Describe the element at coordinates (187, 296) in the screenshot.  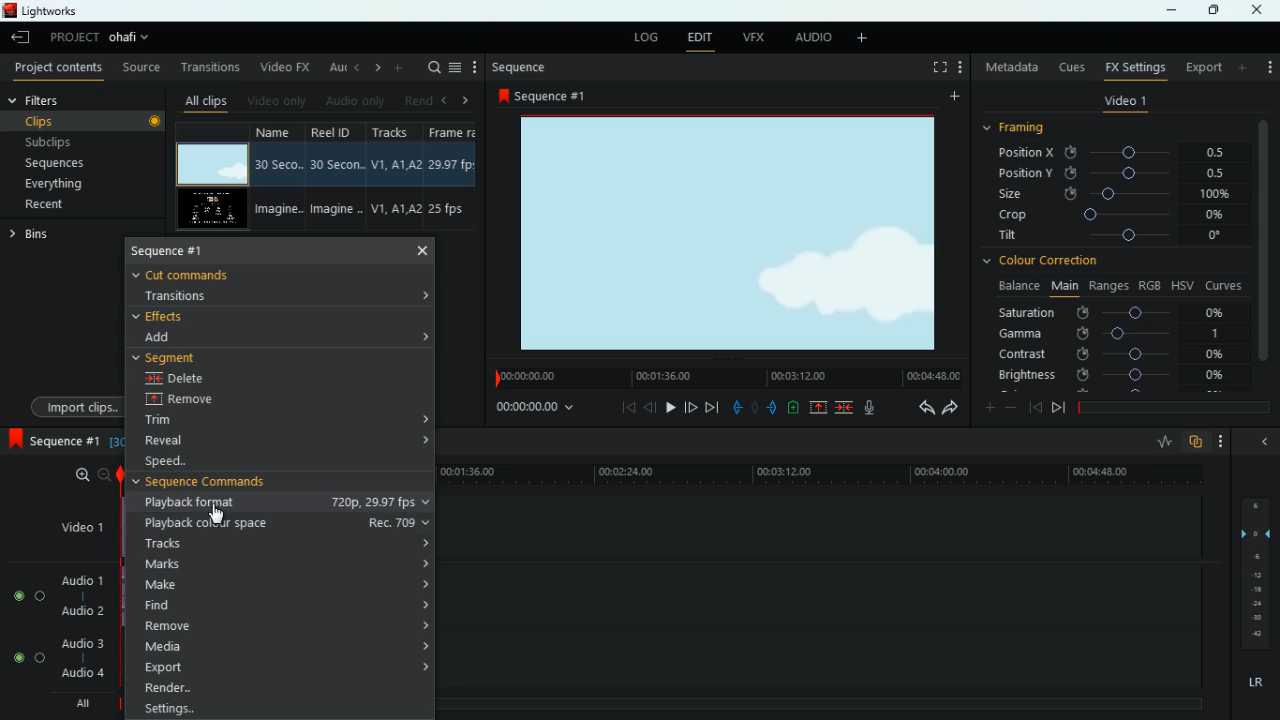
I see `transitions` at that location.